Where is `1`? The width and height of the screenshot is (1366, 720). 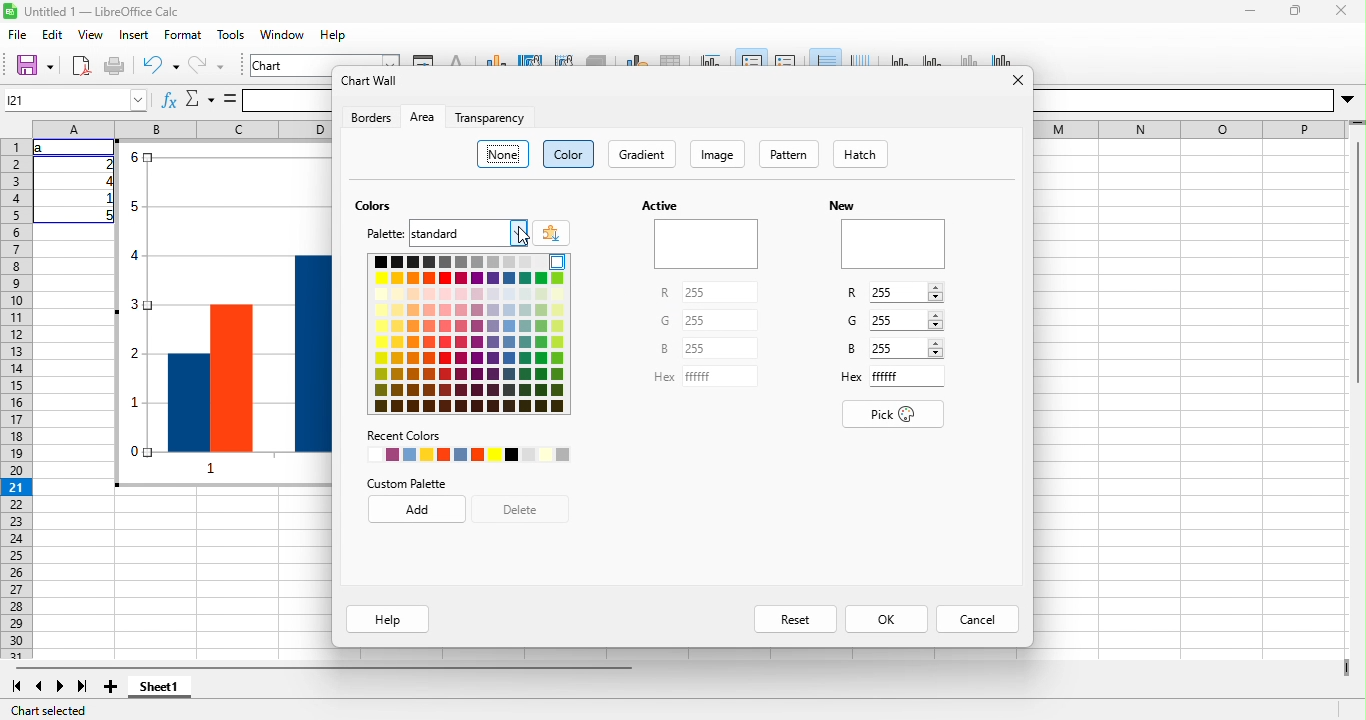
1 is located at coordinates (106, 198).